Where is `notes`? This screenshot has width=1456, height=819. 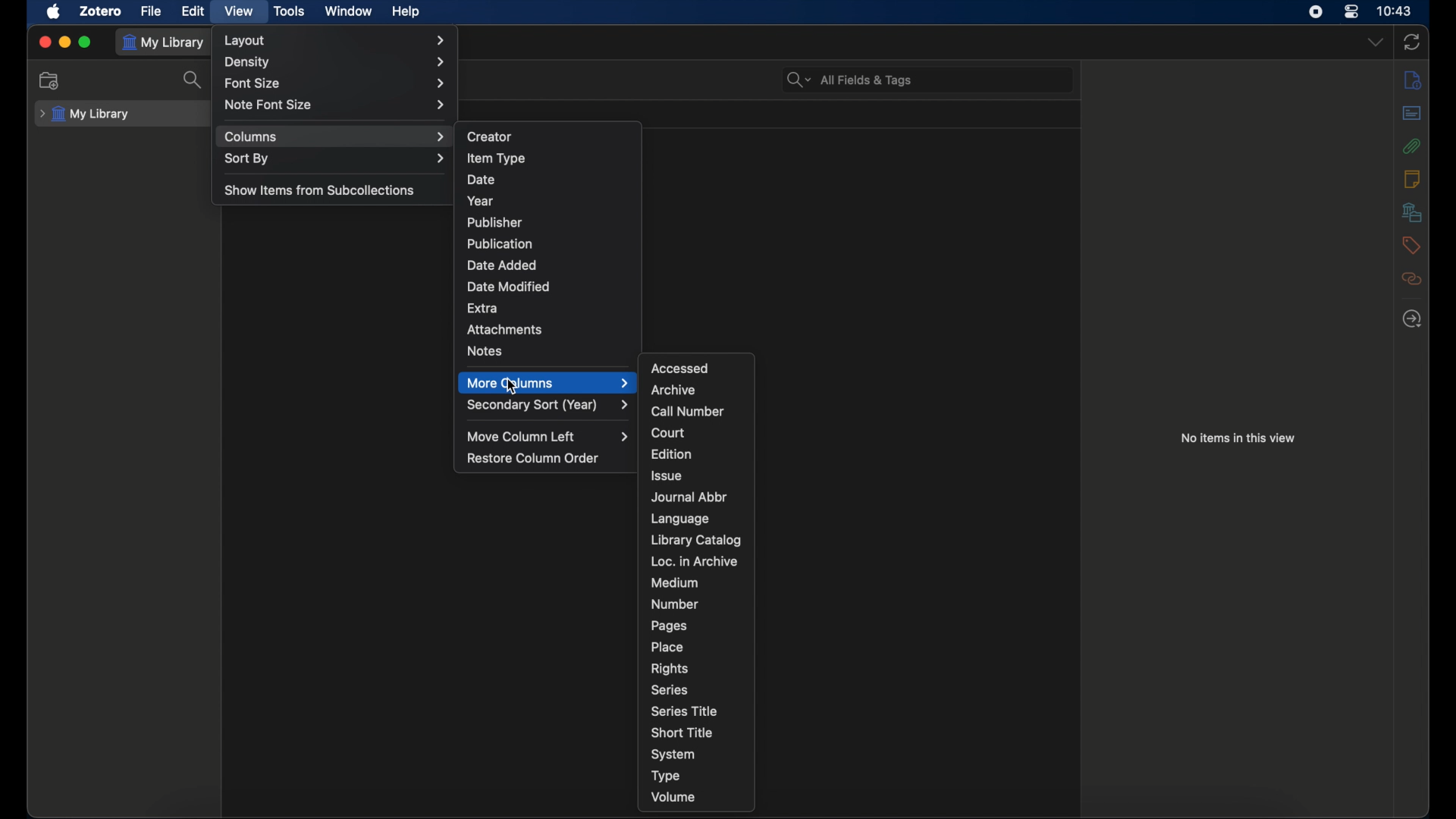
notes is located at coordinates (1412, 179).